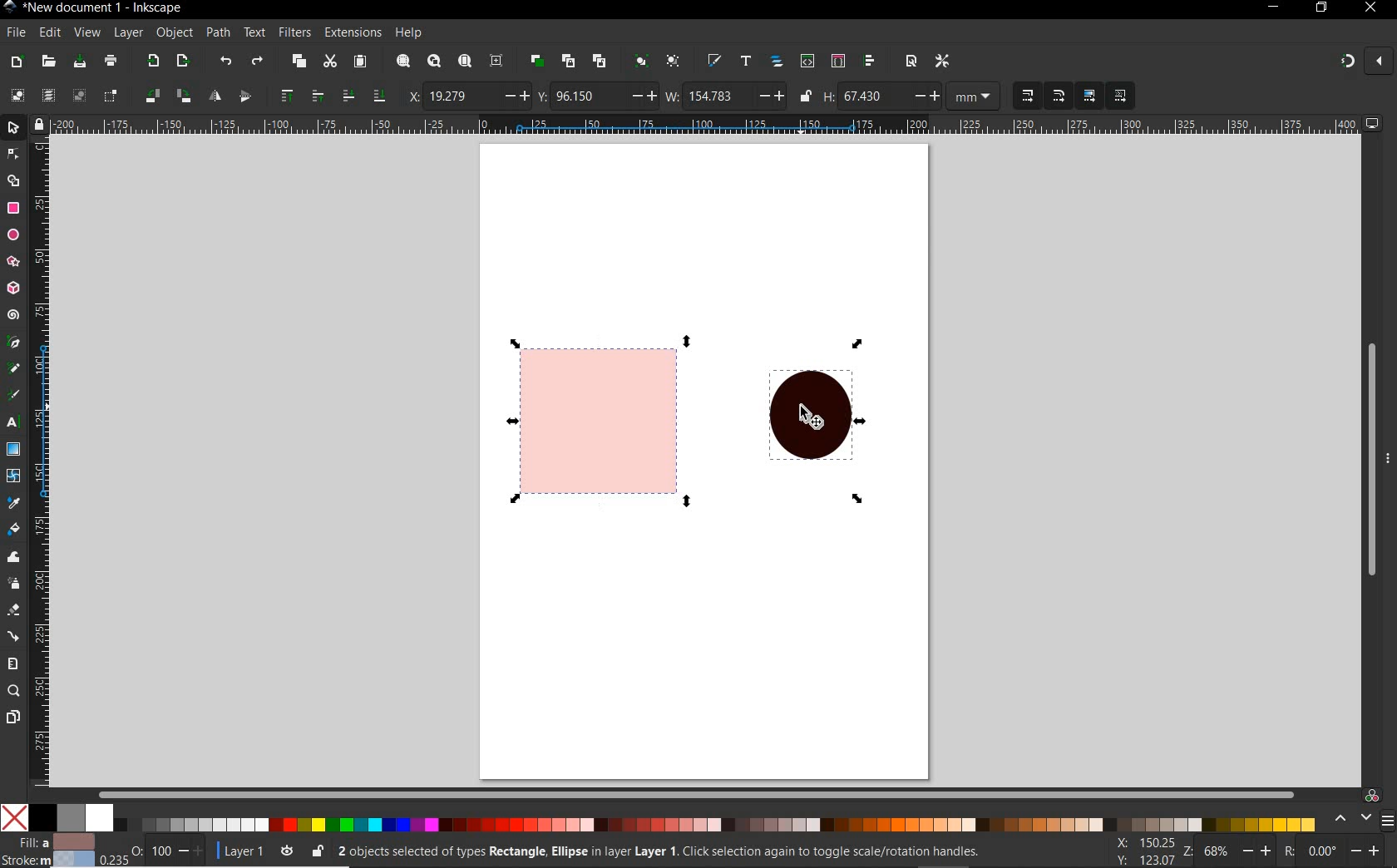 The image size is (1397, 868). What do you see at coordinates (348, 96) in the screenshot?
I see `lower` at bounding box center [348, 96].